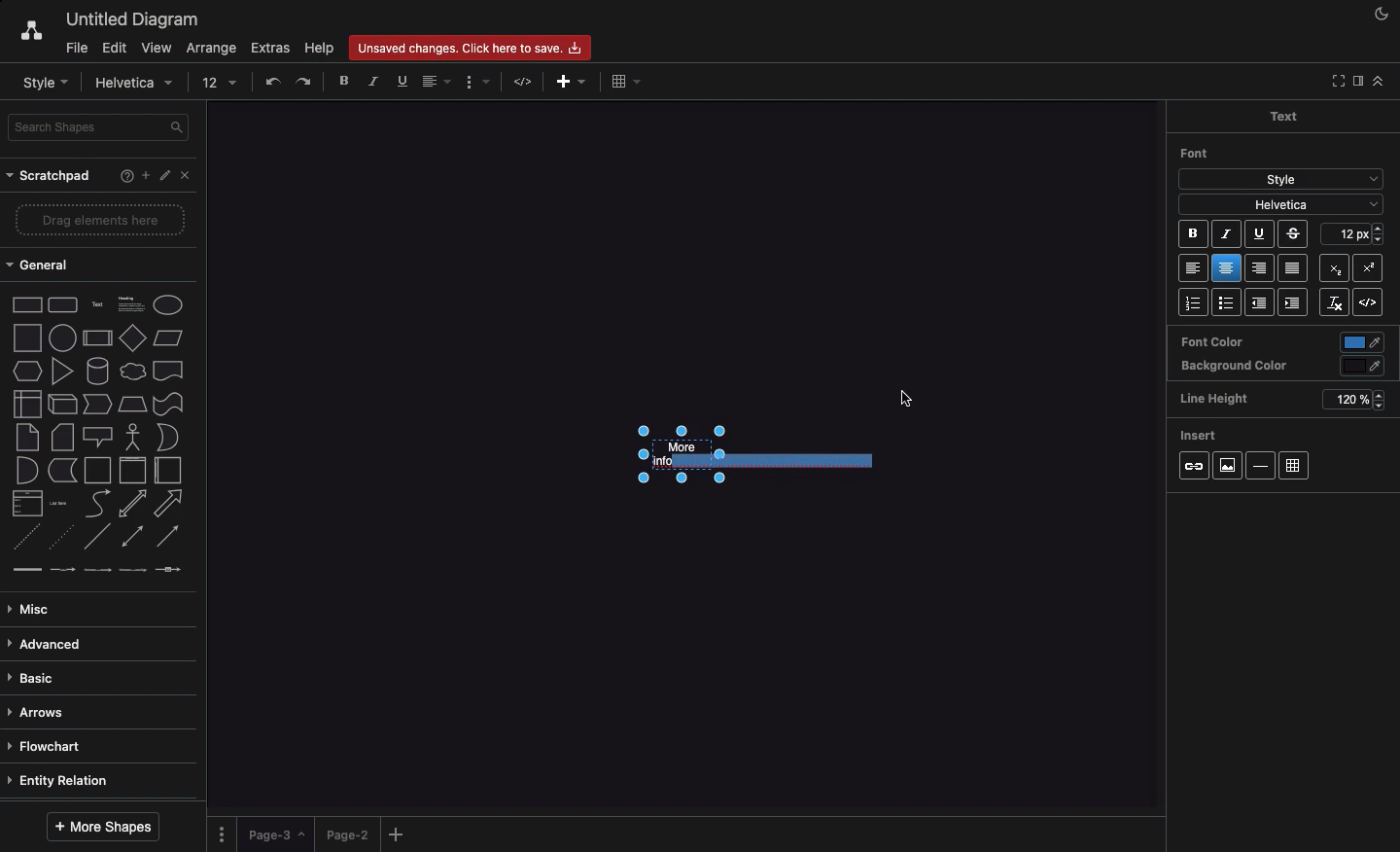  What do you see at coordinates (49, 646) in the screenshot?
I see `Advanced` at bounding box center [49, 646].